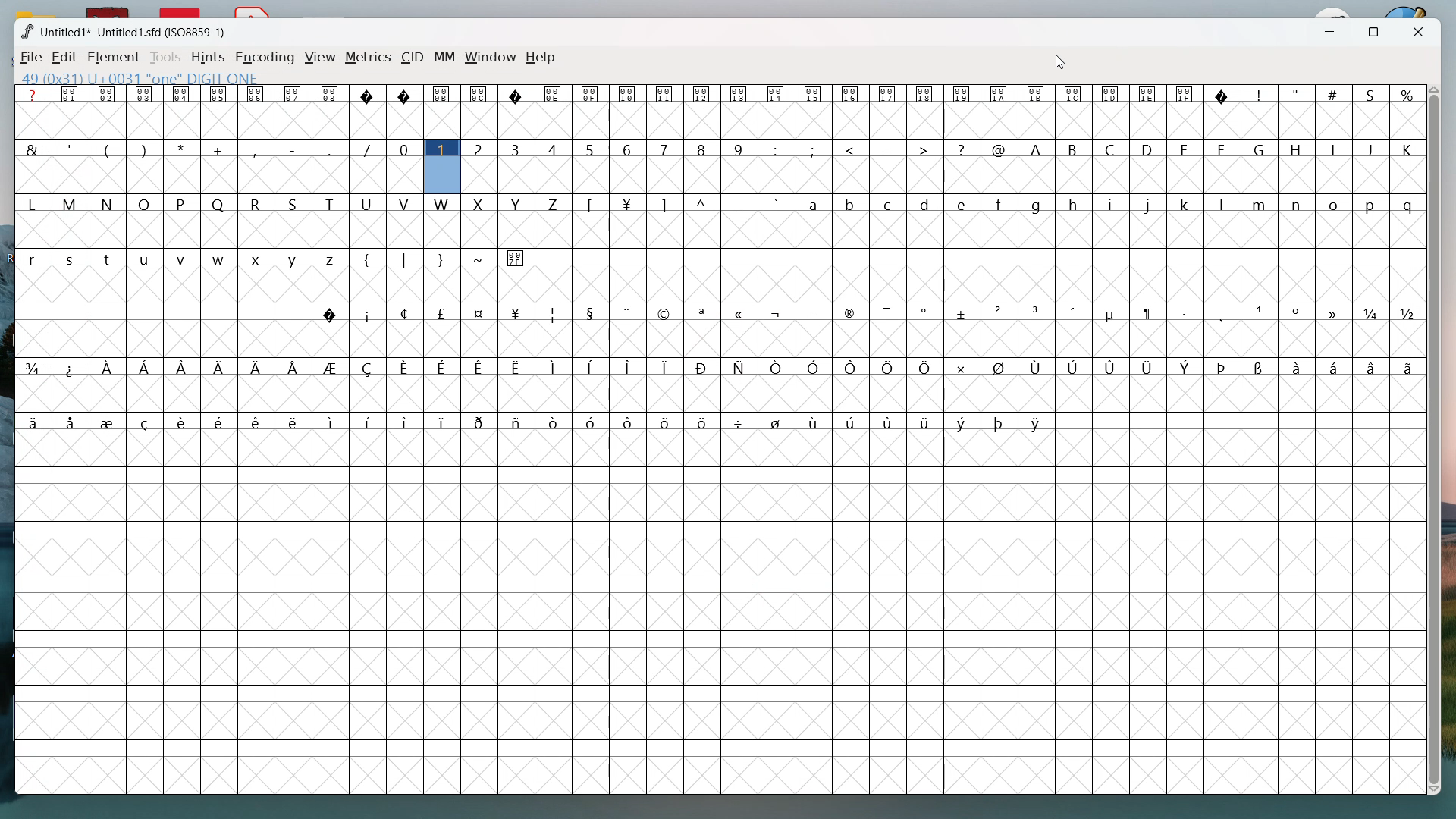 This screenshot has width=1456, height=819. What do you see at coordinates (443, 368) in the screenshot?
I see `symbol` at bounding box center [443, 368].